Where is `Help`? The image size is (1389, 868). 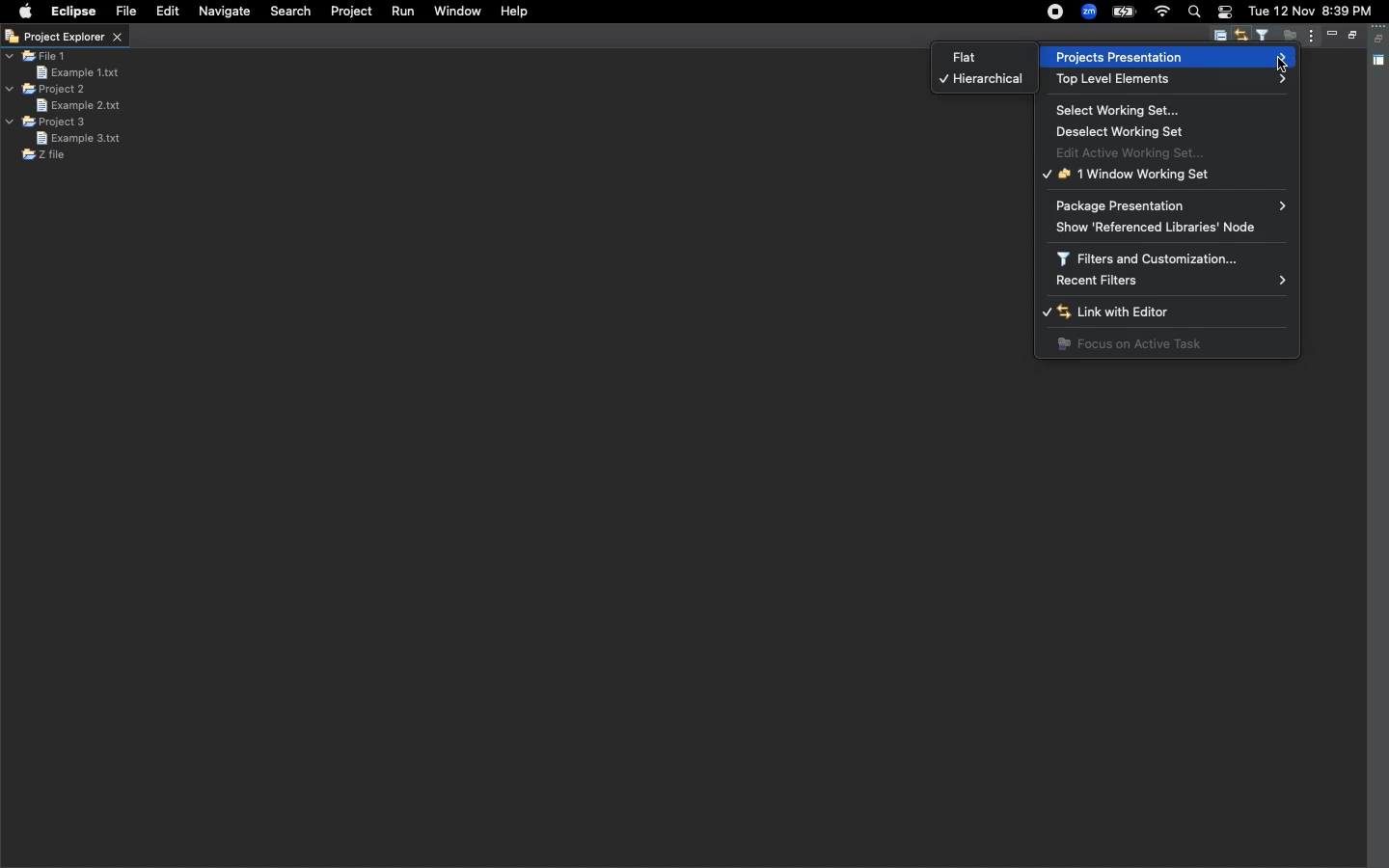 Help is located at coordinates (516, 13).